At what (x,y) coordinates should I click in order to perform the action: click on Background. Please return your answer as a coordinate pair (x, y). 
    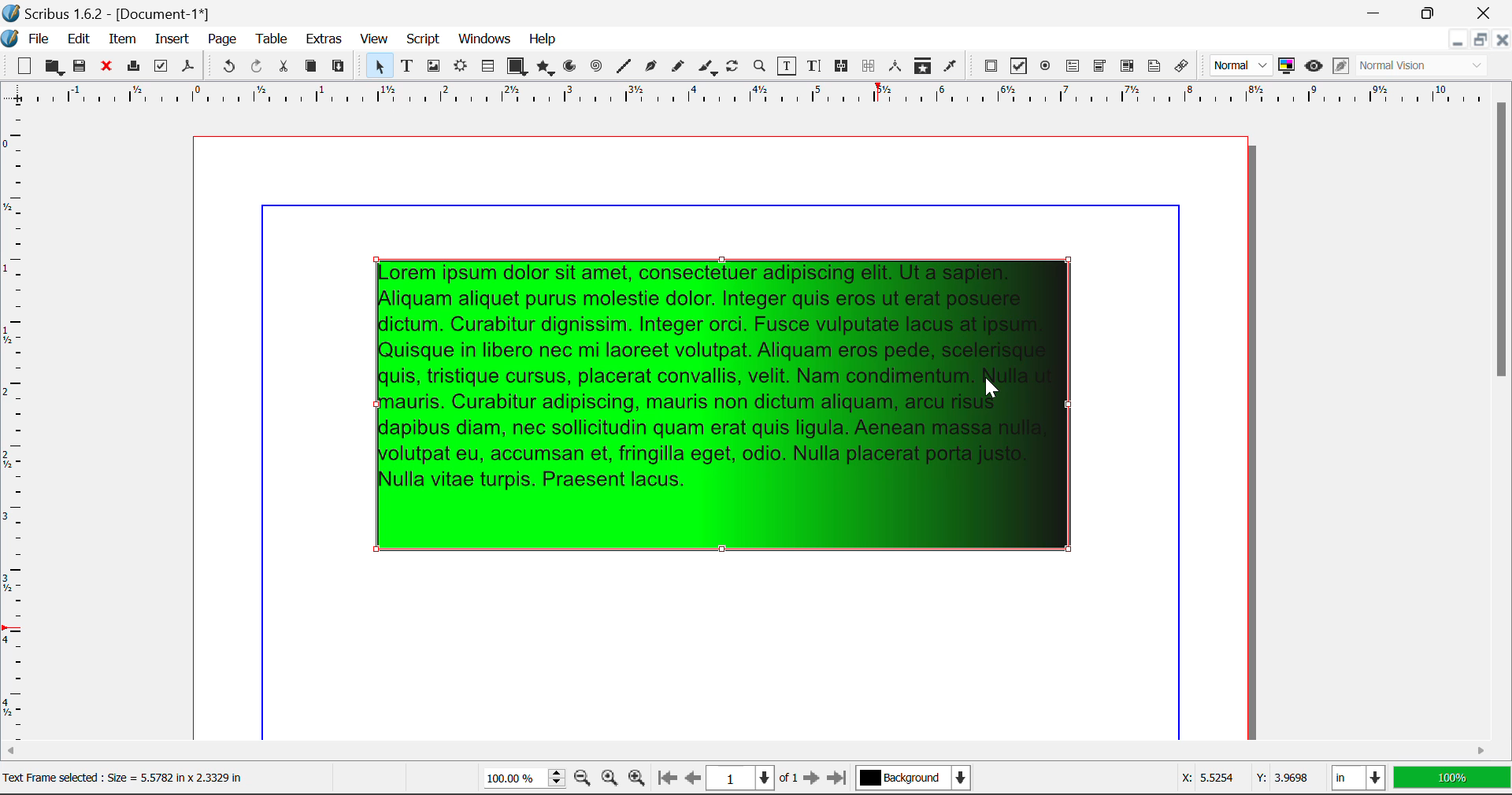
    Looking at the image, I should click on (917, 780).